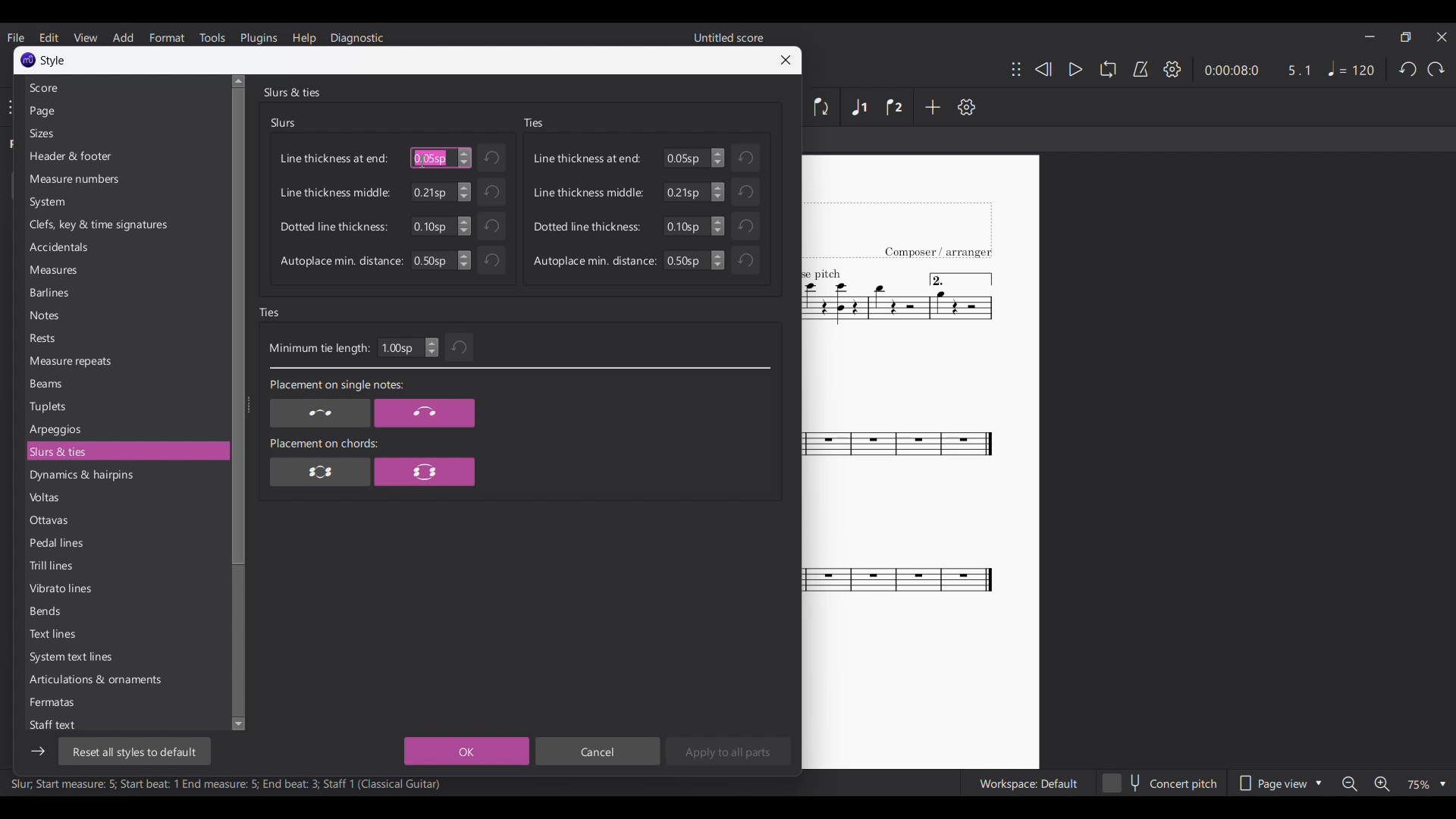  Describe the element at coordinates (125, 315) in the screenshot. I see `Notes` at that location.